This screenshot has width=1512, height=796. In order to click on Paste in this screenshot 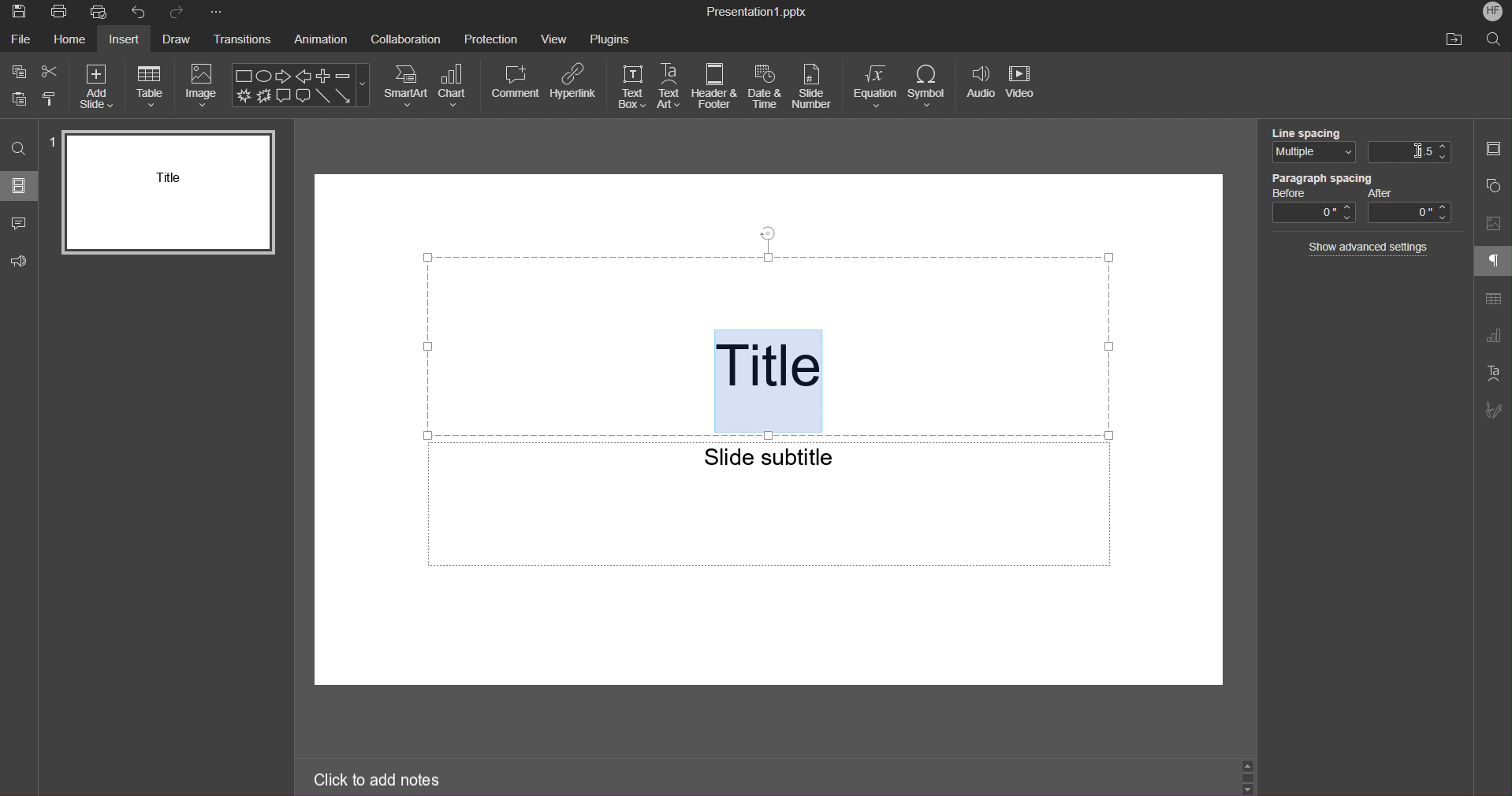, I will do `click(16, 98)`.